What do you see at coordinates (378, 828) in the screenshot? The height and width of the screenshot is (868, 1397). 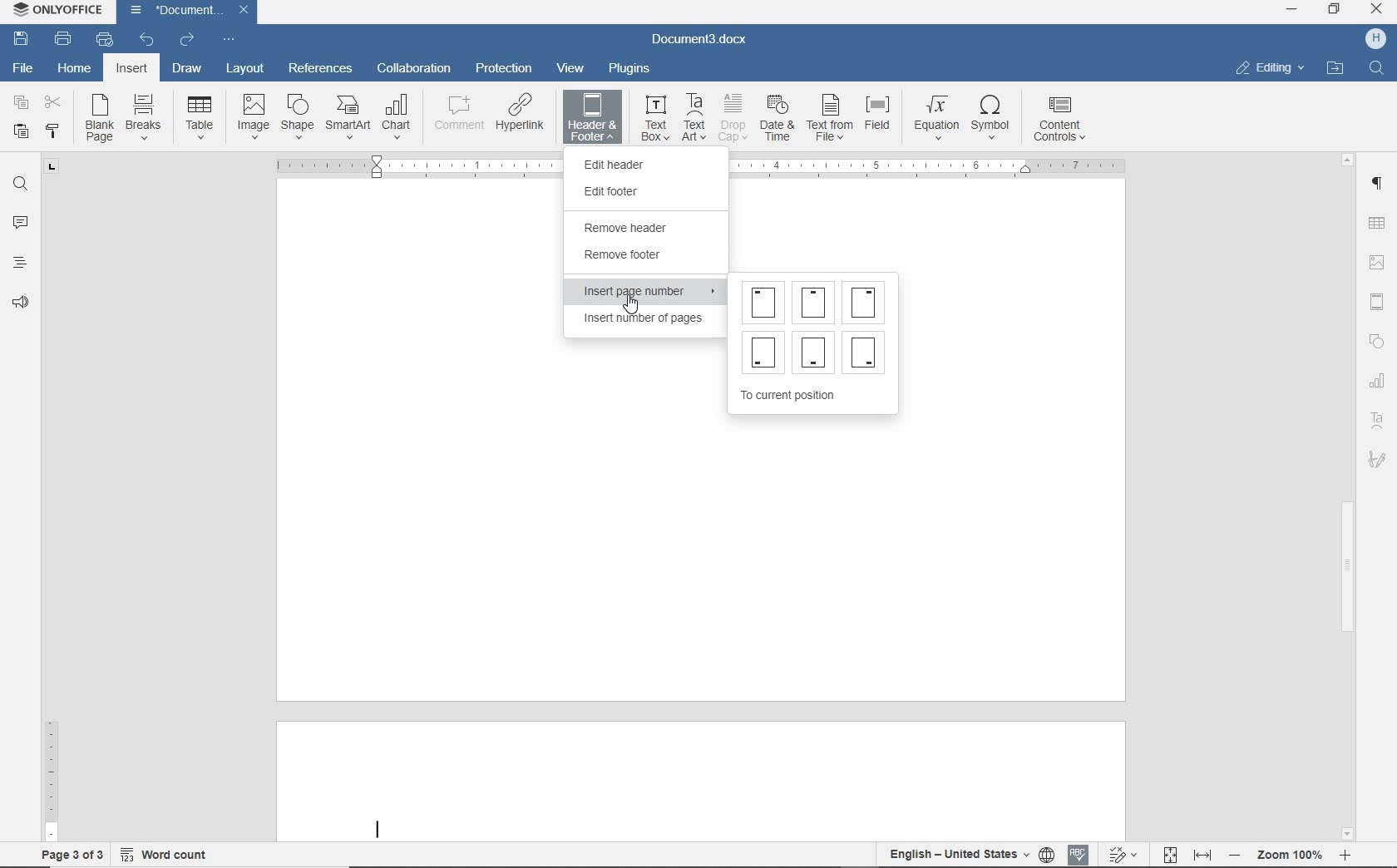 I see `Text cursor` at bounding box center [378, 828].